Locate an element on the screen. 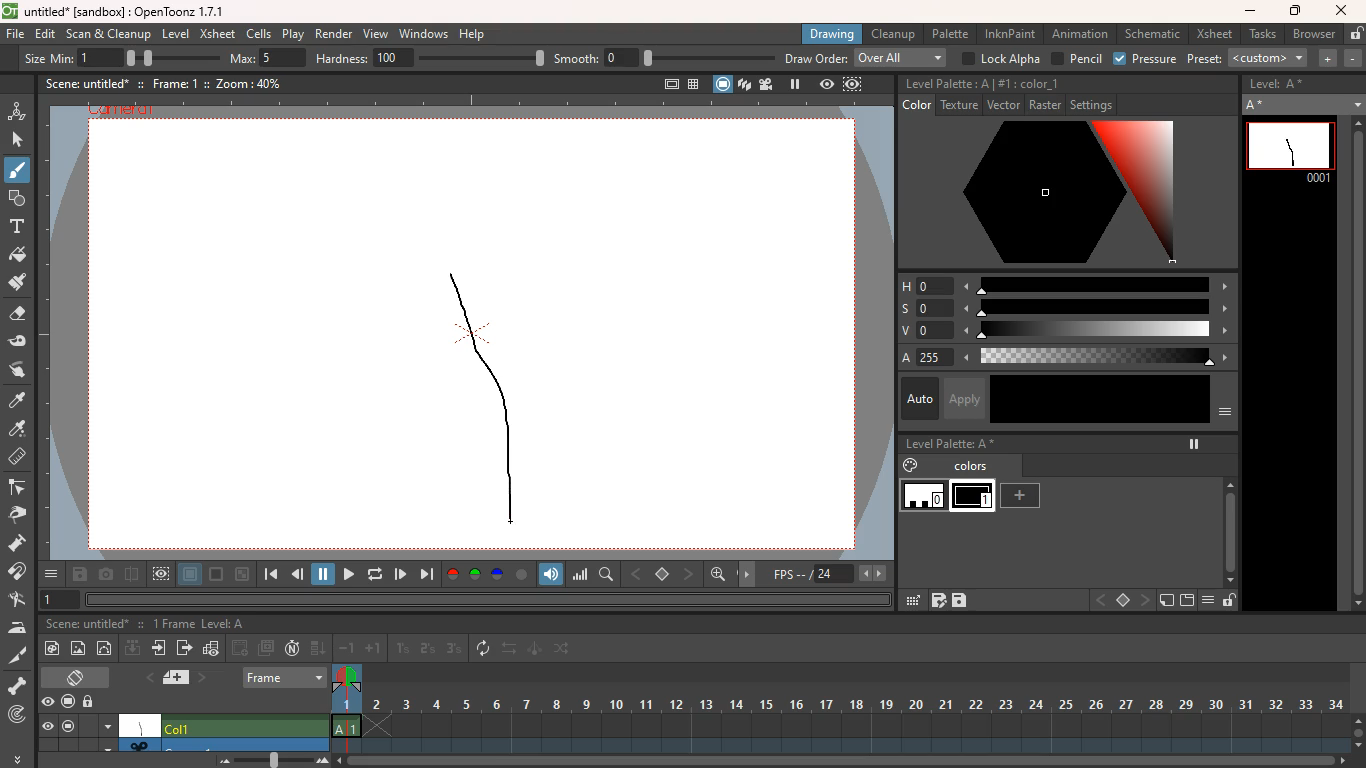 This screenshot has width=1366, height=768. forms is located at coordinates (16, 199).